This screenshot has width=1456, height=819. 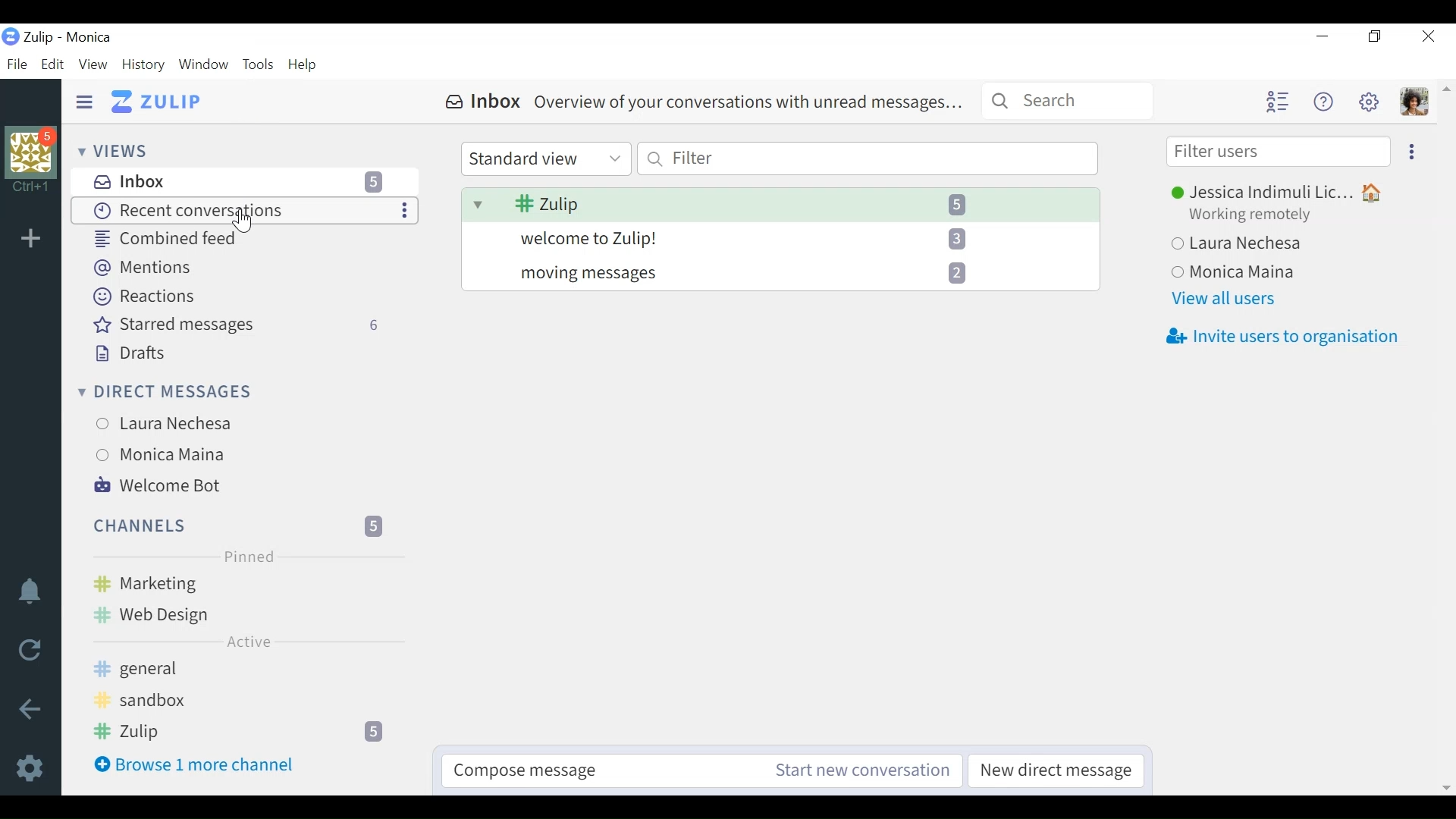 I want to click on Standard view, so click(x=548, y=158).